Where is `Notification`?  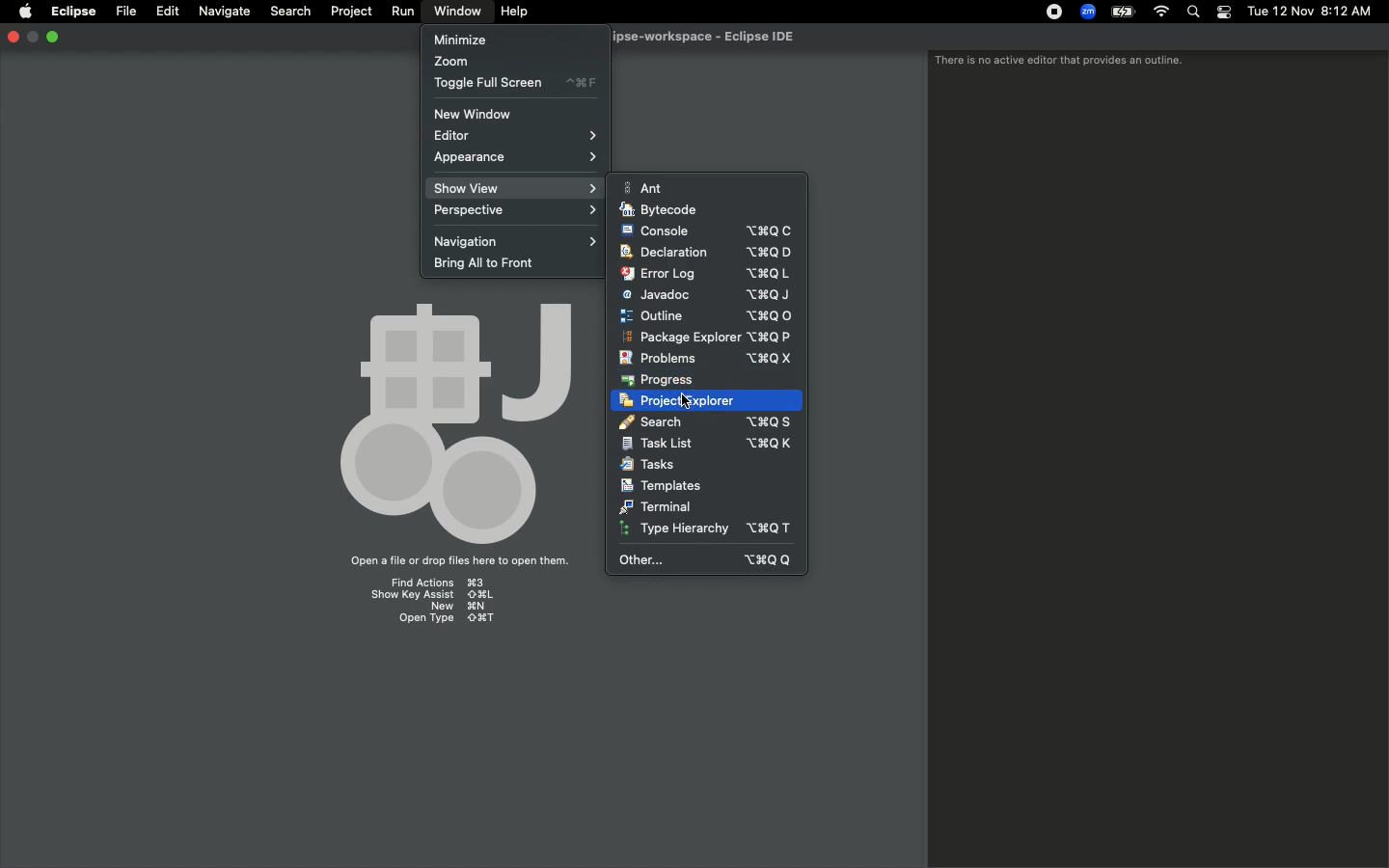
Notification is located at coordinates (1223, 13).